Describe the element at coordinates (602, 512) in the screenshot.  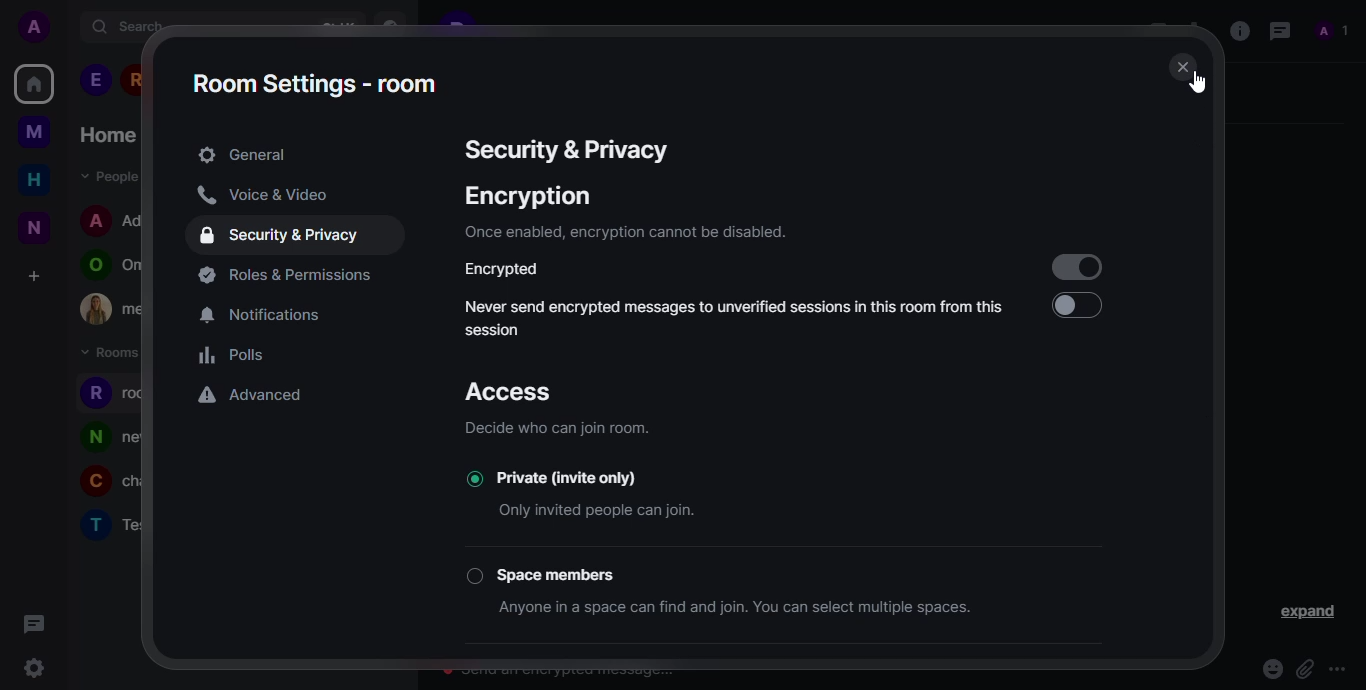
I see `Only invited people can join.` at that location.